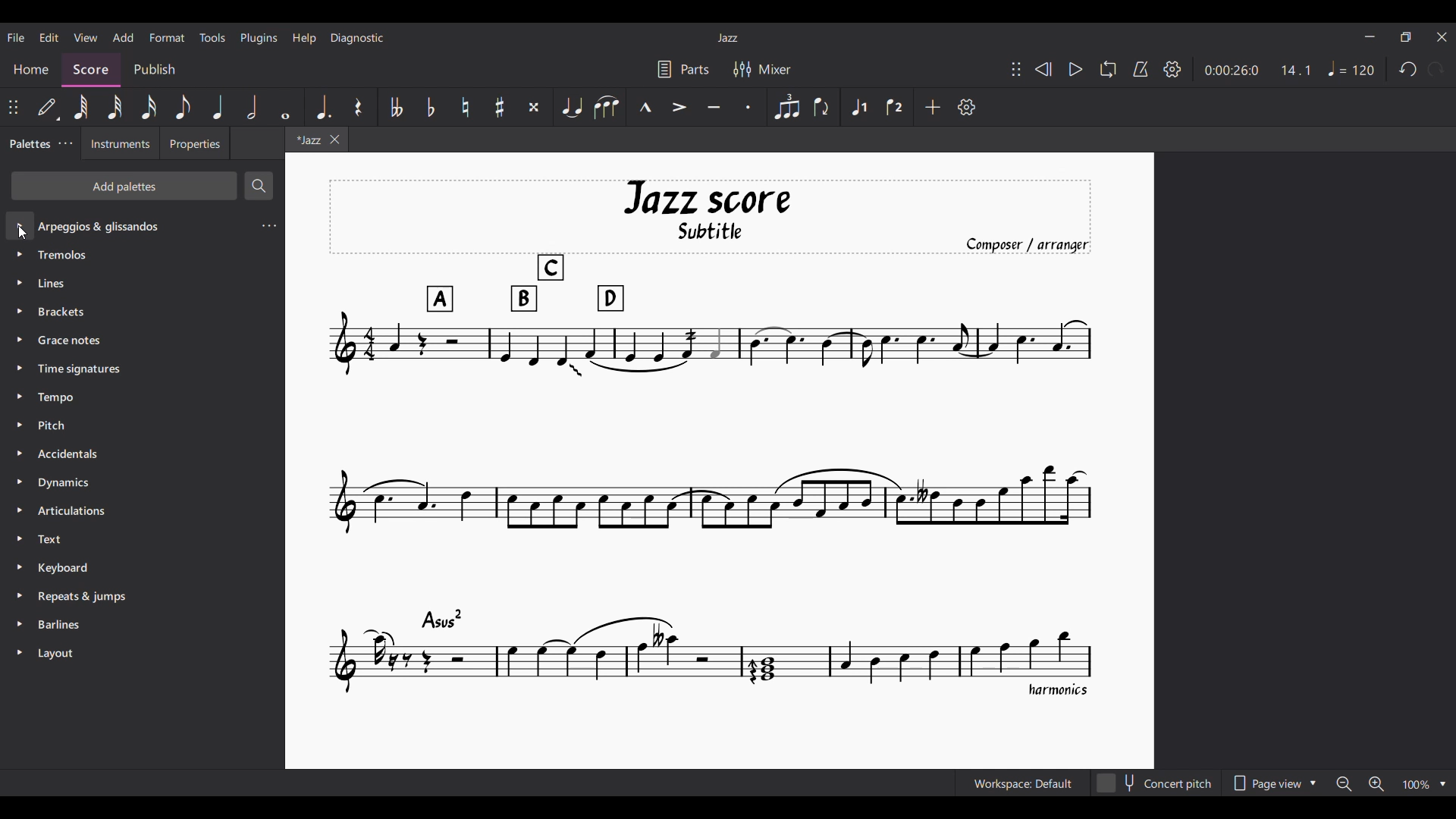 The image size is (1456, 819). What do you see at coordinates (645, 107) in the screenshot?
I see `Marcato` at bounding box center [645, 107].